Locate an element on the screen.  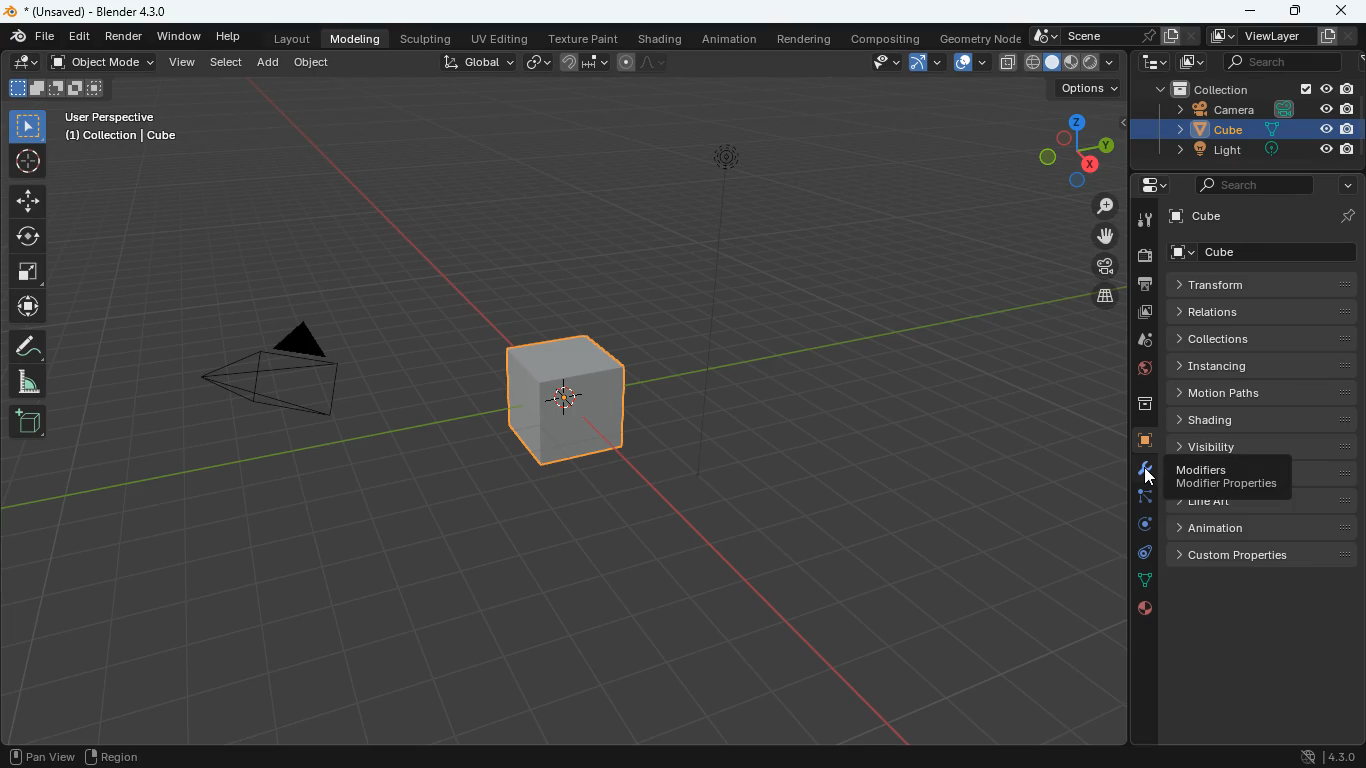
dimensions is located at coordinates (1076, 146).